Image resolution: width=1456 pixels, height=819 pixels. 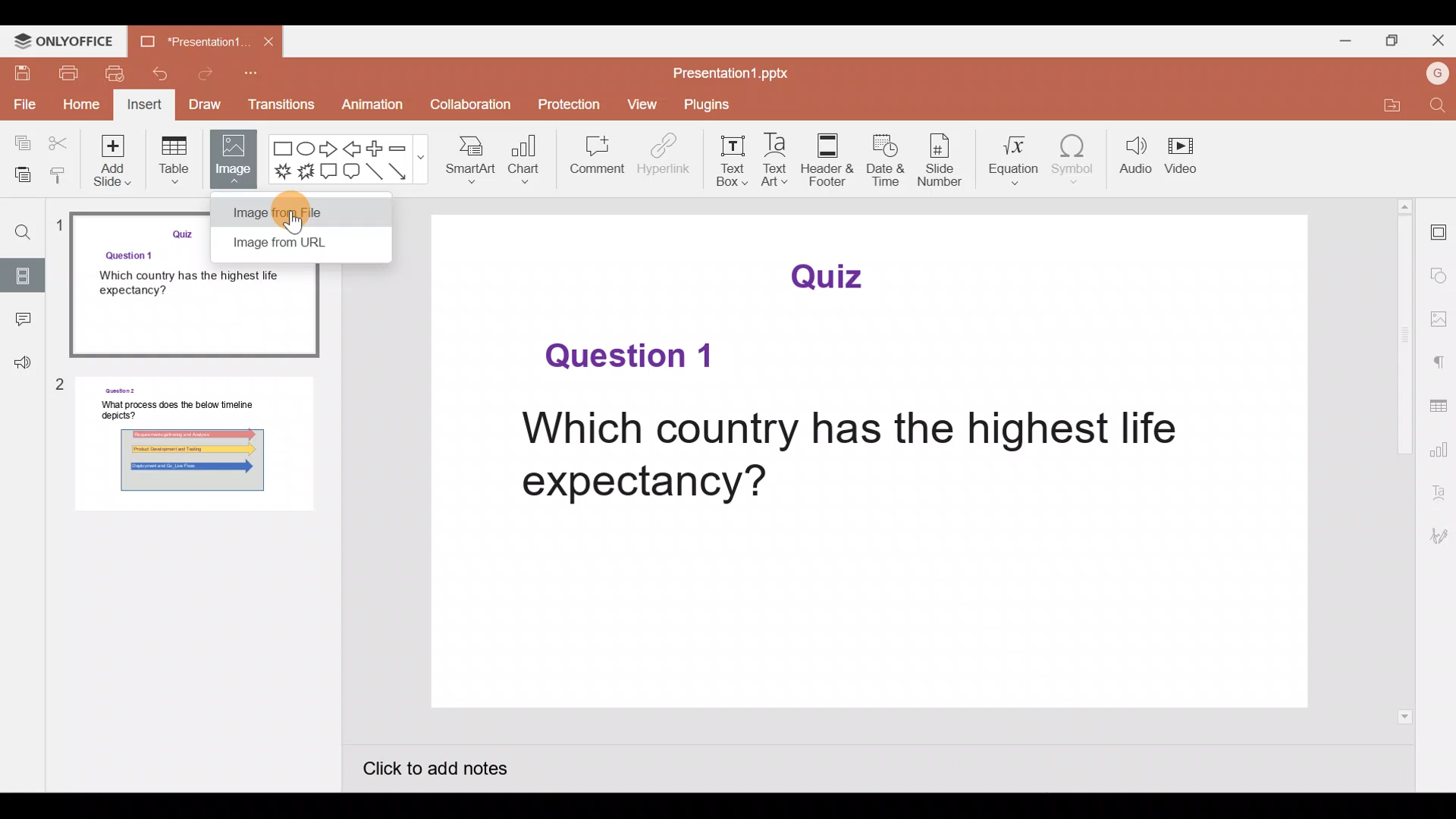 I want to click on Home, so click(x=81, y=104).